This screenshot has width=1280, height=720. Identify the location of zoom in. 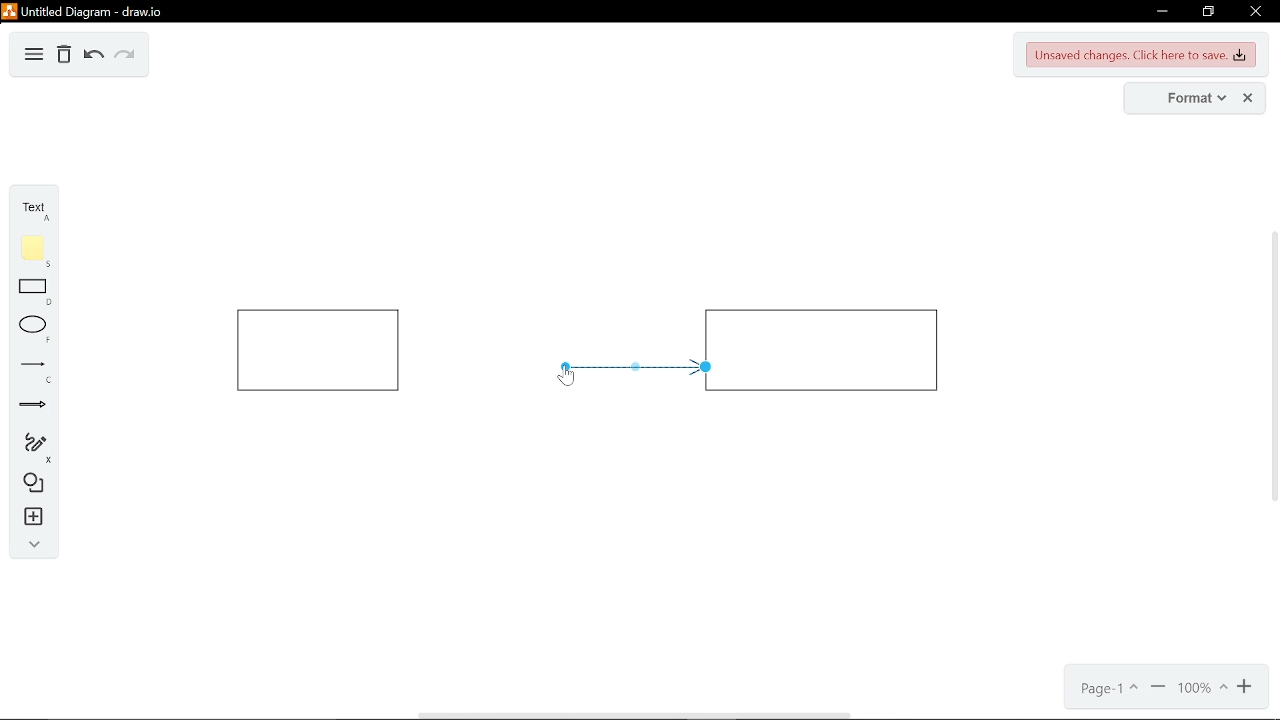
(1244, 690).